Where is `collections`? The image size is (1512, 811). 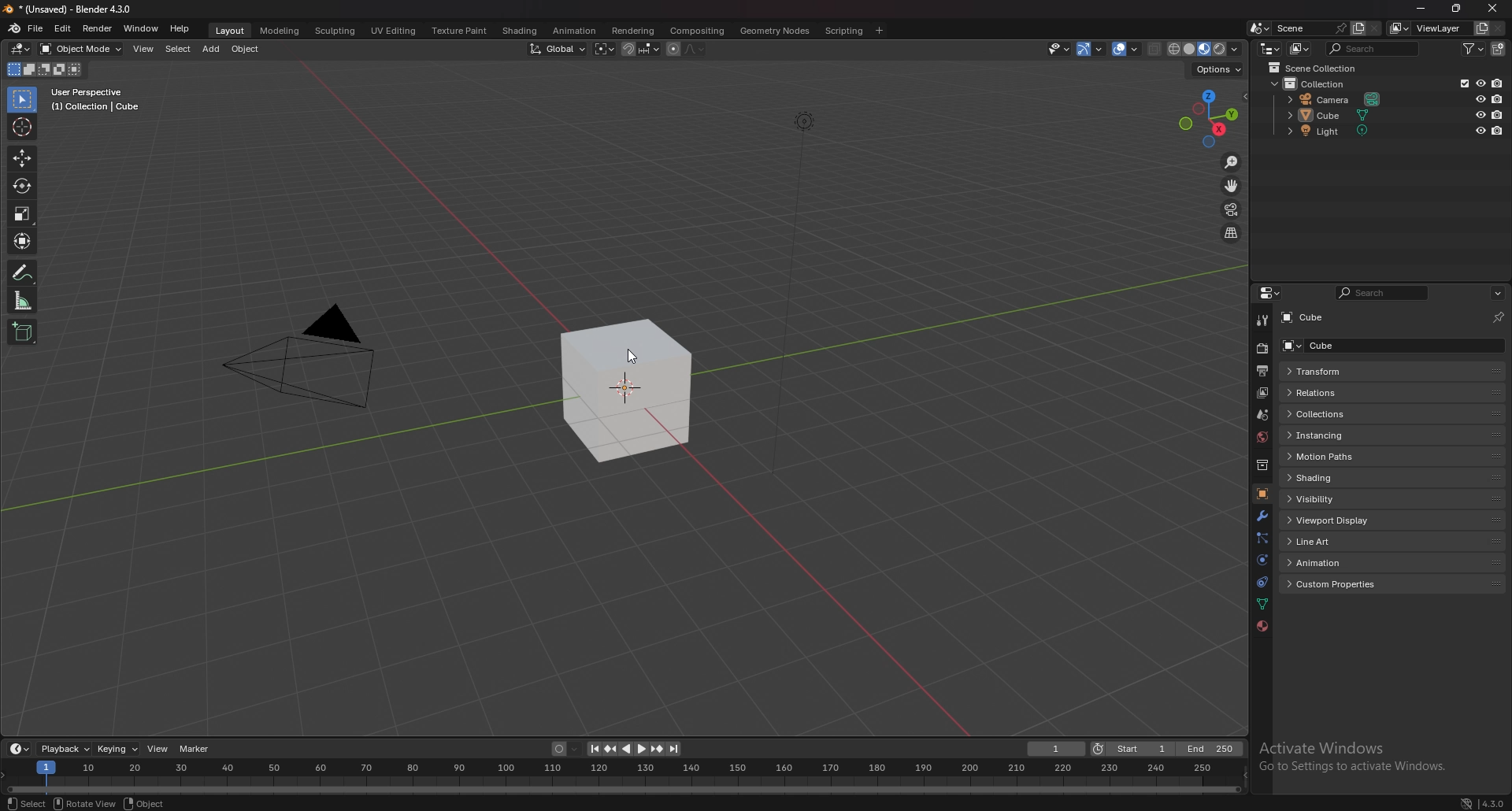
collections is located at coordinates (1336, 414).